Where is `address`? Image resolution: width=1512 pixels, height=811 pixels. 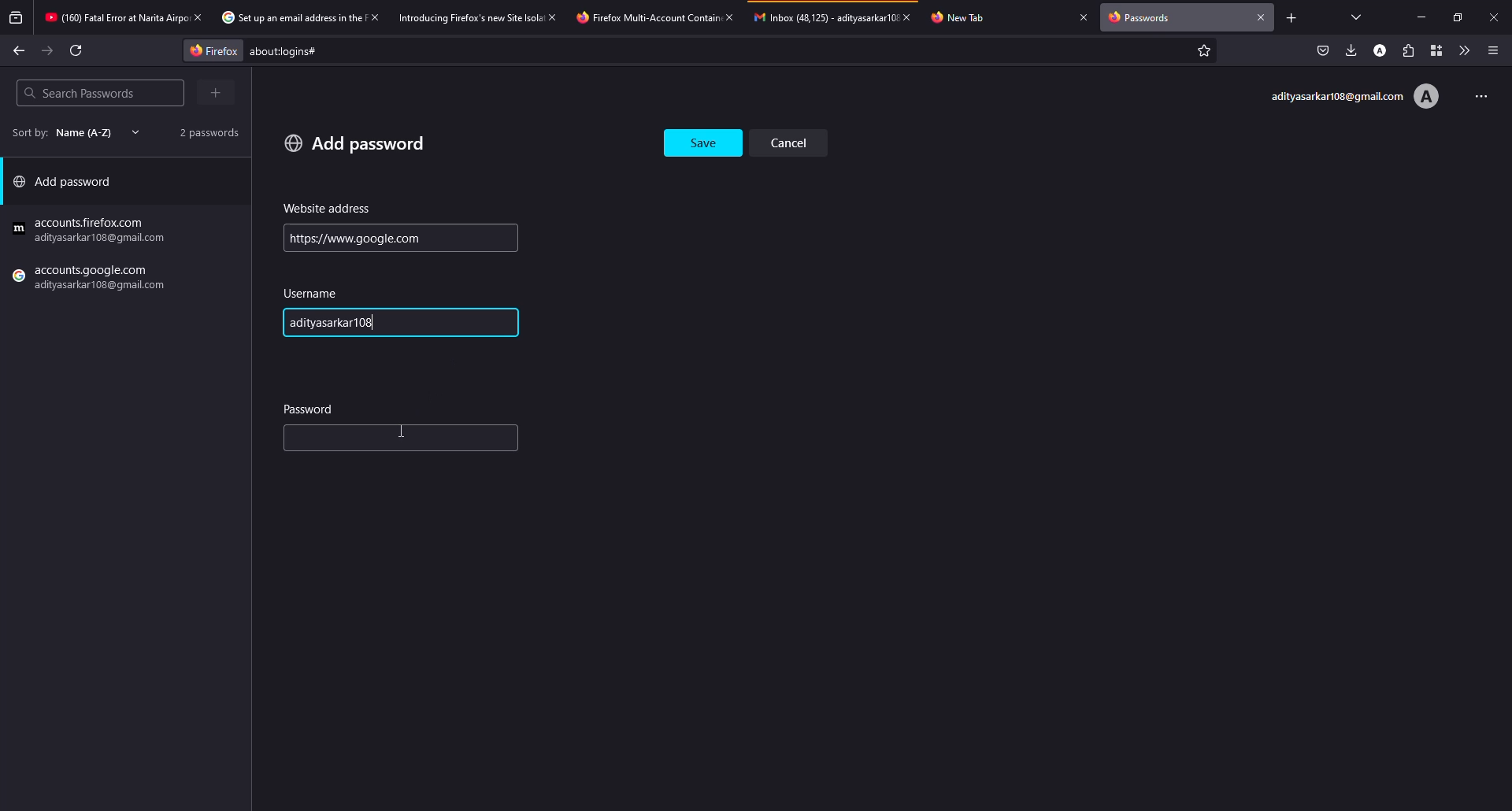
address is located at coordinates (328, 209).